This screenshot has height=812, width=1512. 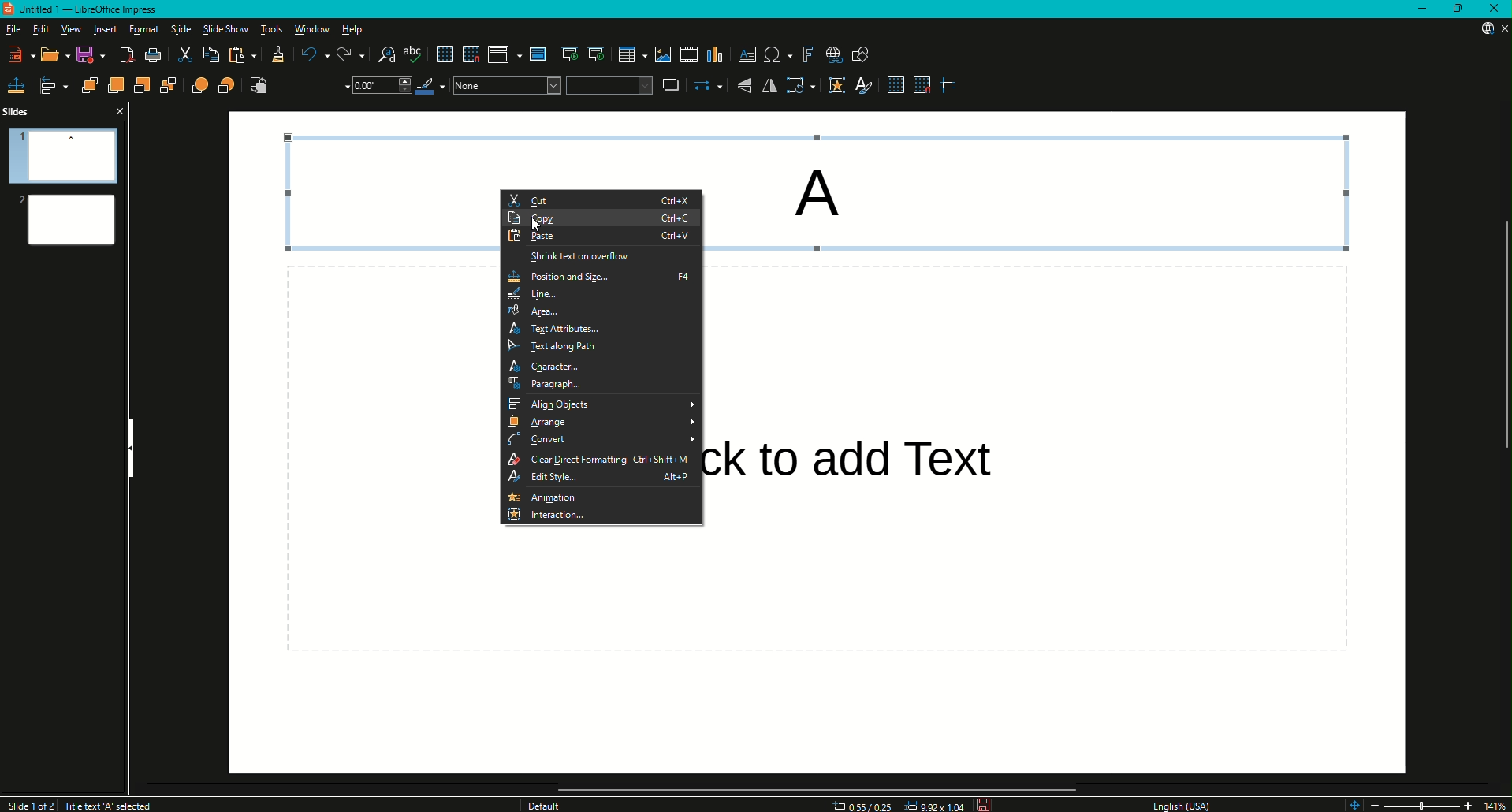 What do you see at coordinates (599, 404) in the screenshot?
I see `Align Objects` at bounding box center [599, 404].